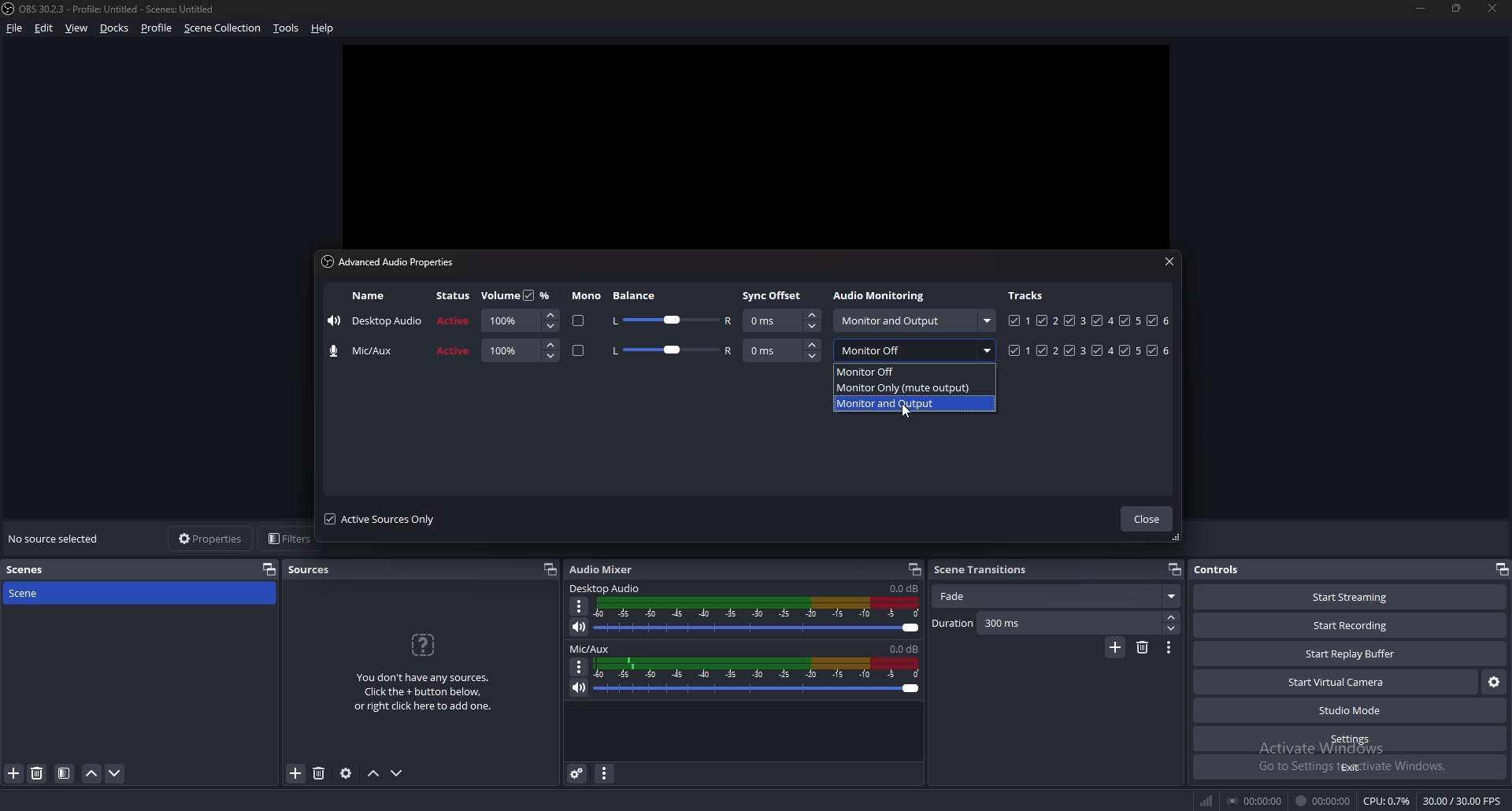  What do you see at coordinates (209, 538) in the screenshot?
I see `properties` at bounding box center [209, 538].